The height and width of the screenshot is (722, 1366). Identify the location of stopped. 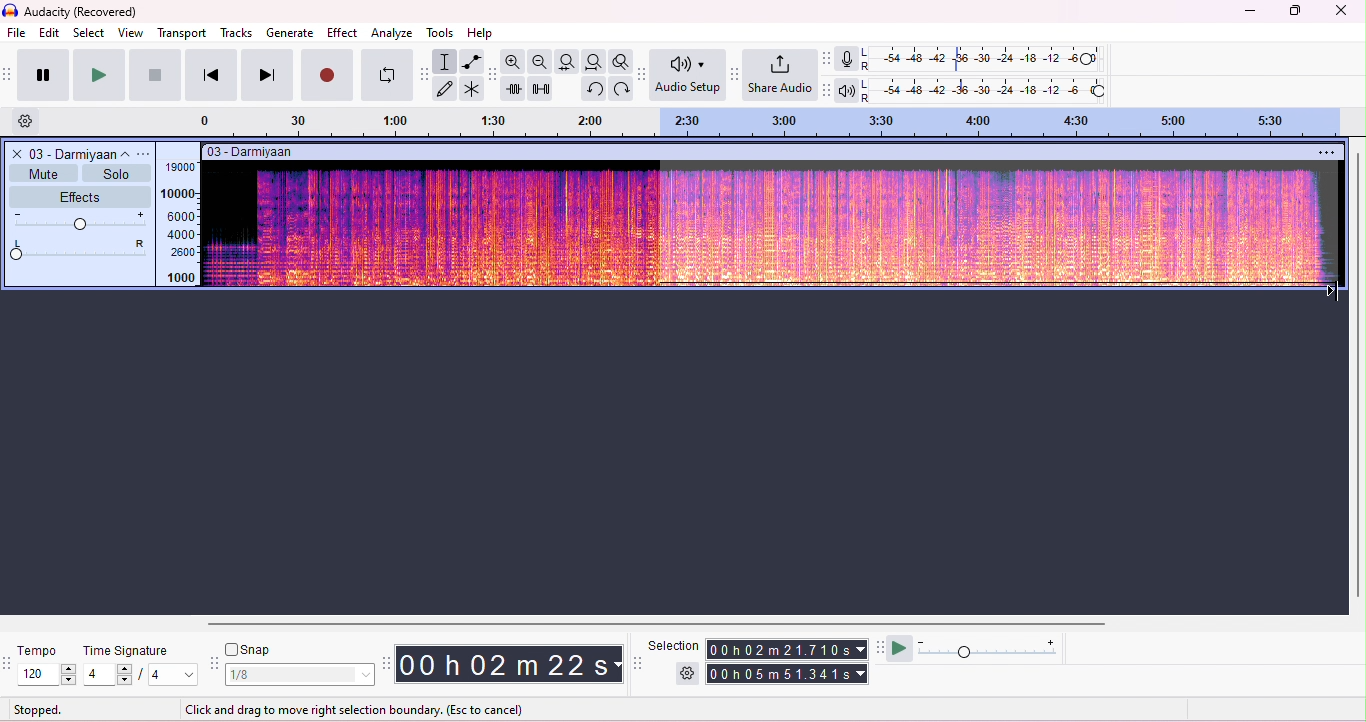
(40, 709).